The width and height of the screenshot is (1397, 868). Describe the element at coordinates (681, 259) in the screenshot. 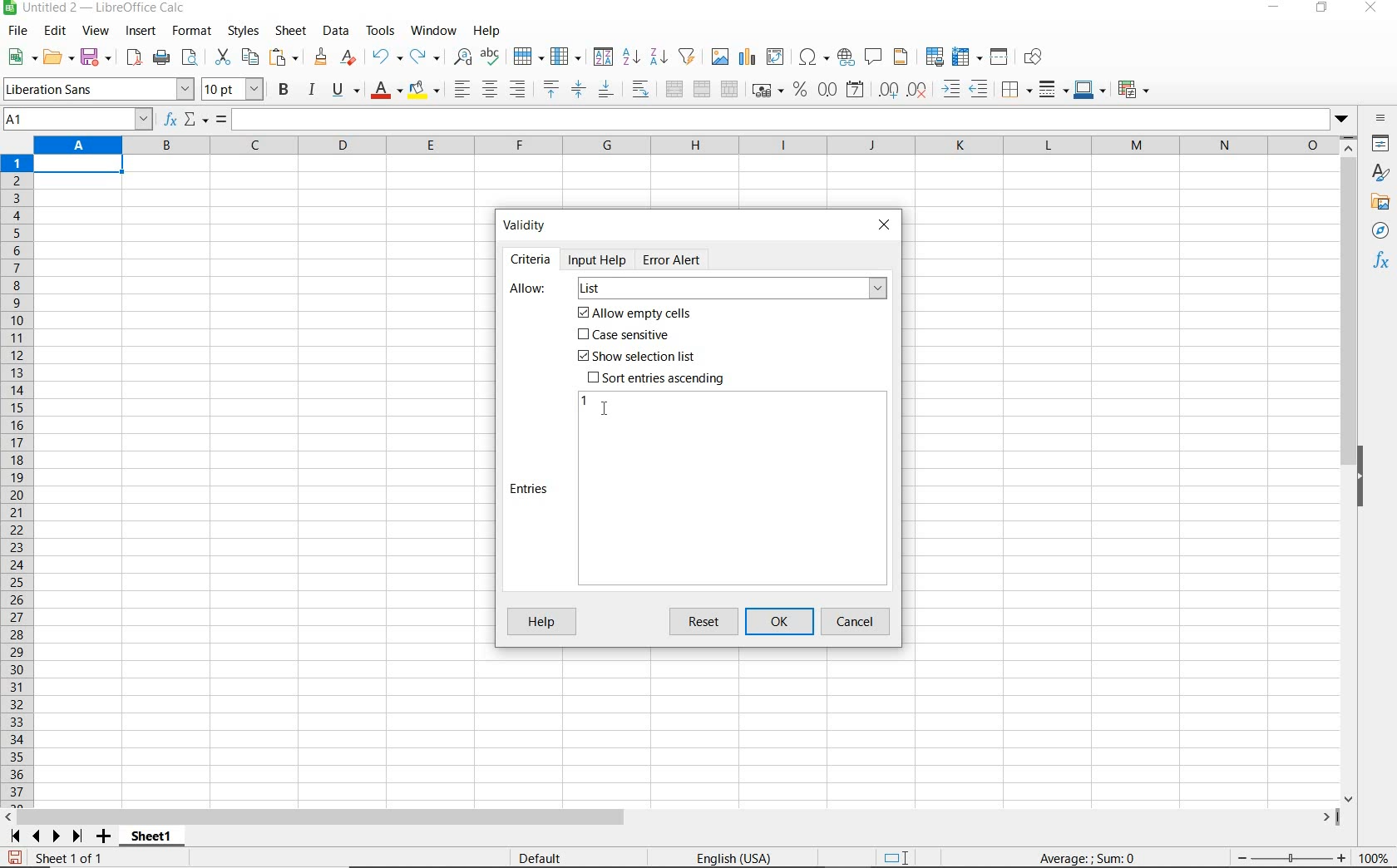

I see `Error Alert` at that location.